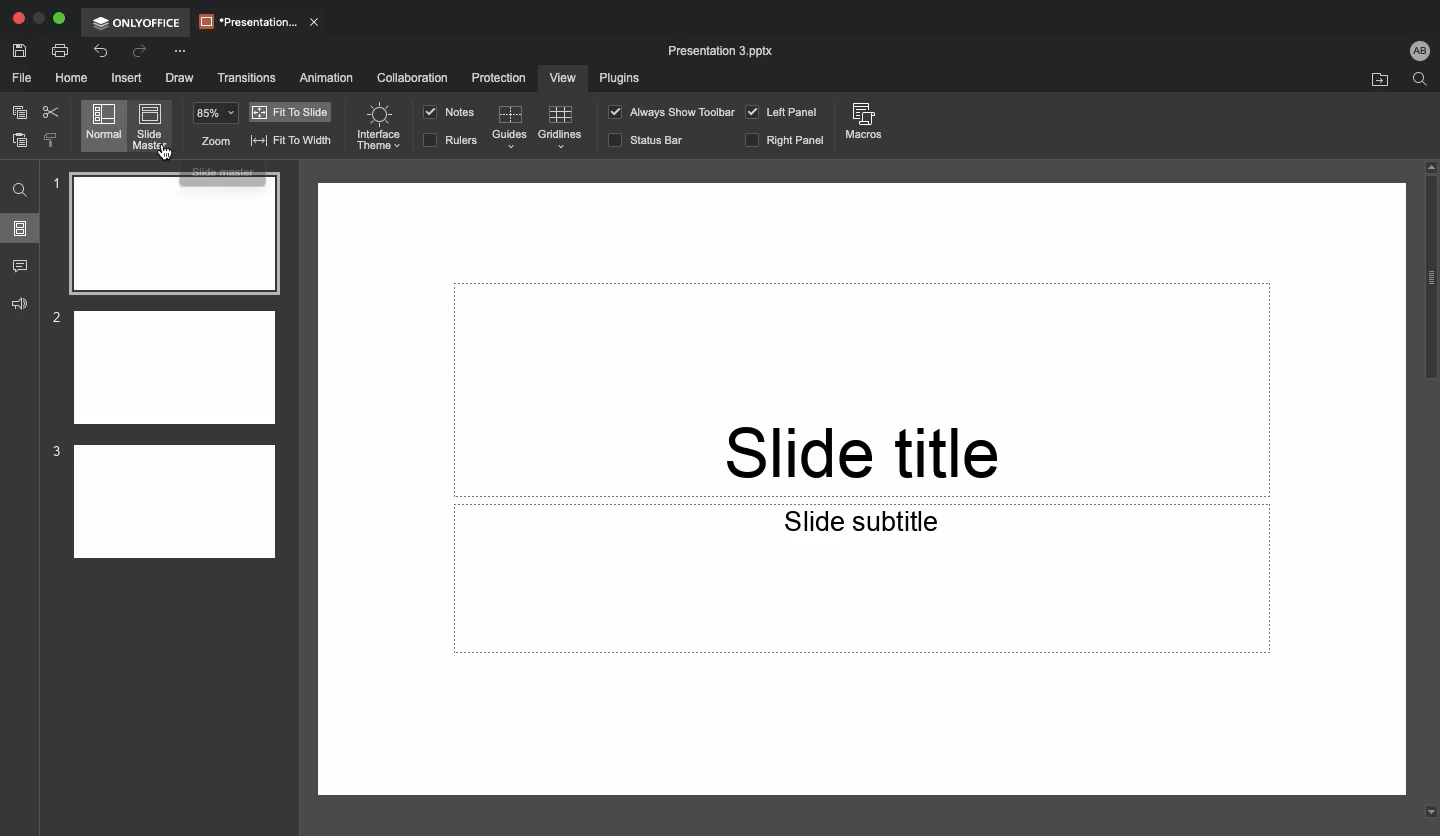 This screenshot has width=1440, height=836. What do you see at coordinates (164, 505) in the screenshot?
I see `Slide 3` at bounding box center [164, 505].